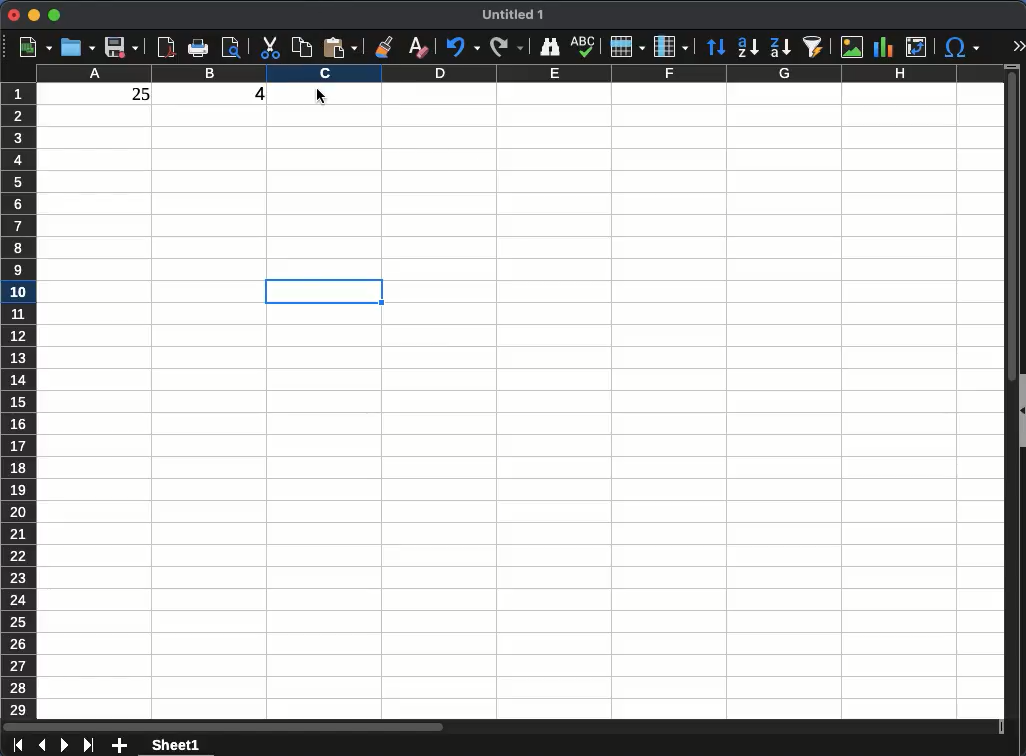 Image resolution: width=1026 pixels, height=756 pixels. What do you see at coordinates (515, 74) in the screenshot?
I see `columns ` at bounding box center [515, 74].